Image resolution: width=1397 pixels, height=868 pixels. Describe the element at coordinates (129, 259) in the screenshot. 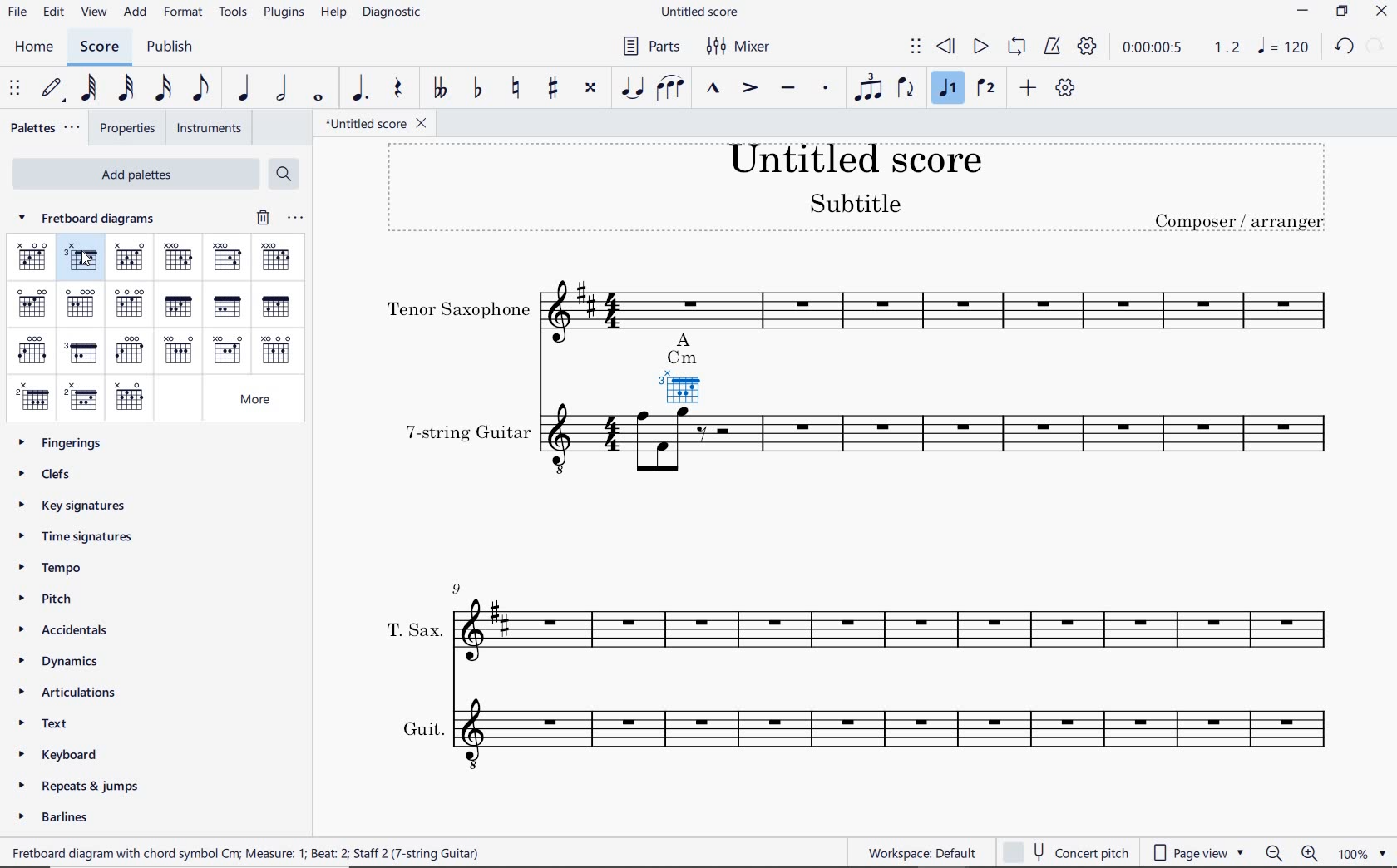

I see `C7` at that location.